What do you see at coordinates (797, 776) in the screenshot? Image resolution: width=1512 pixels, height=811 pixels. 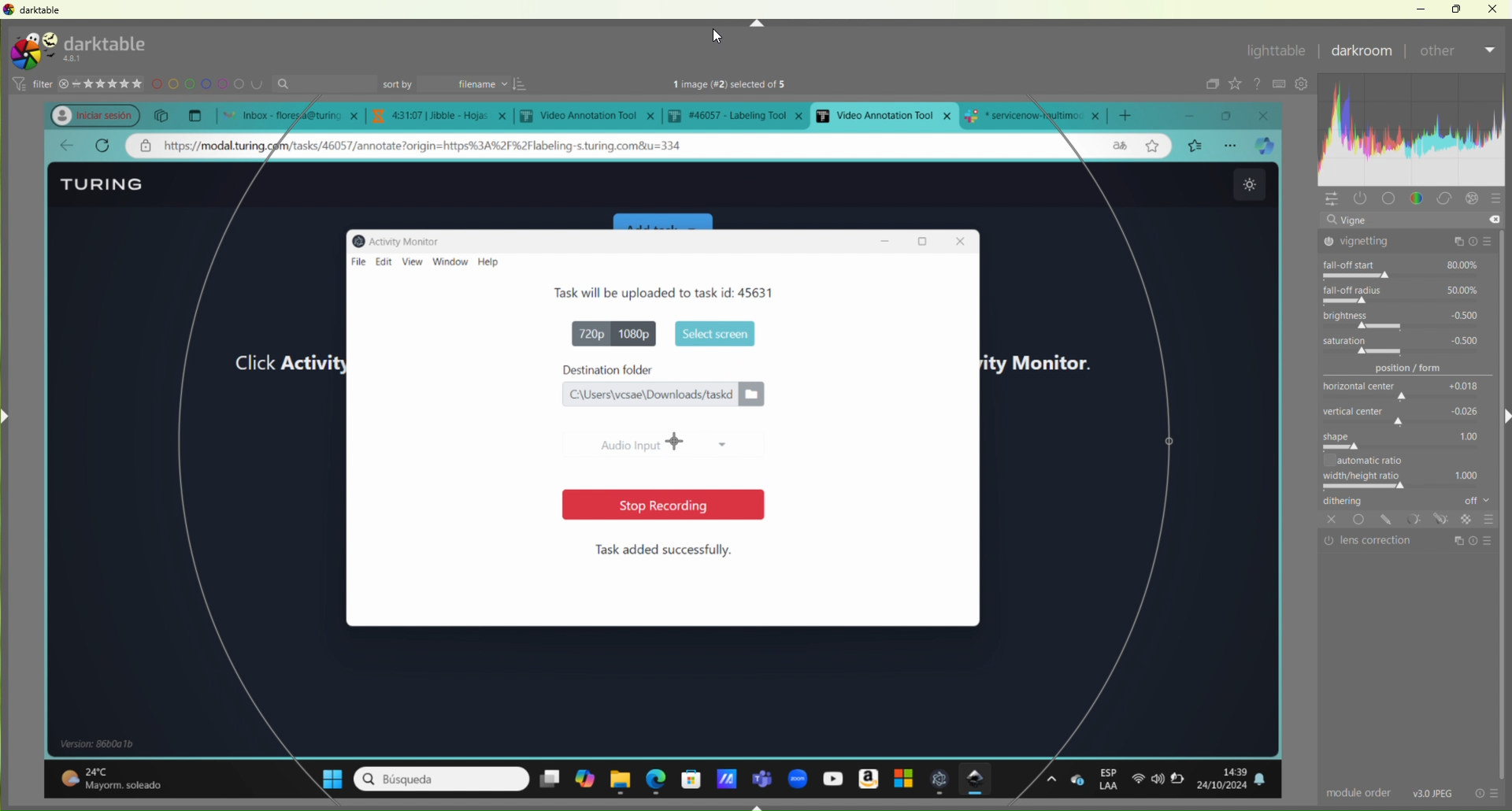 I see `zoom` at bounding box center [797, 776].